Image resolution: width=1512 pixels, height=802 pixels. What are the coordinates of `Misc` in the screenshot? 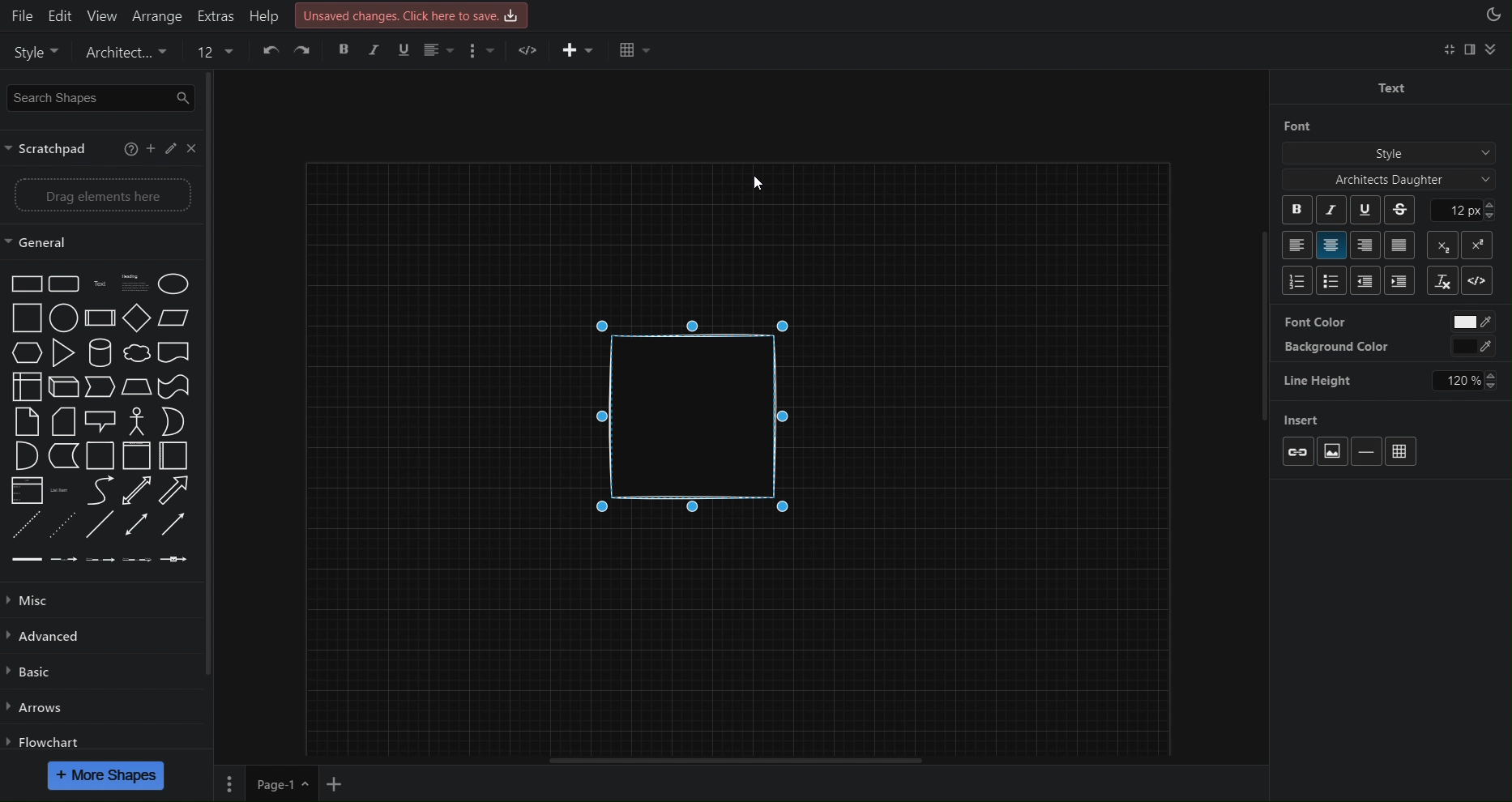 It's located at (40, 602).